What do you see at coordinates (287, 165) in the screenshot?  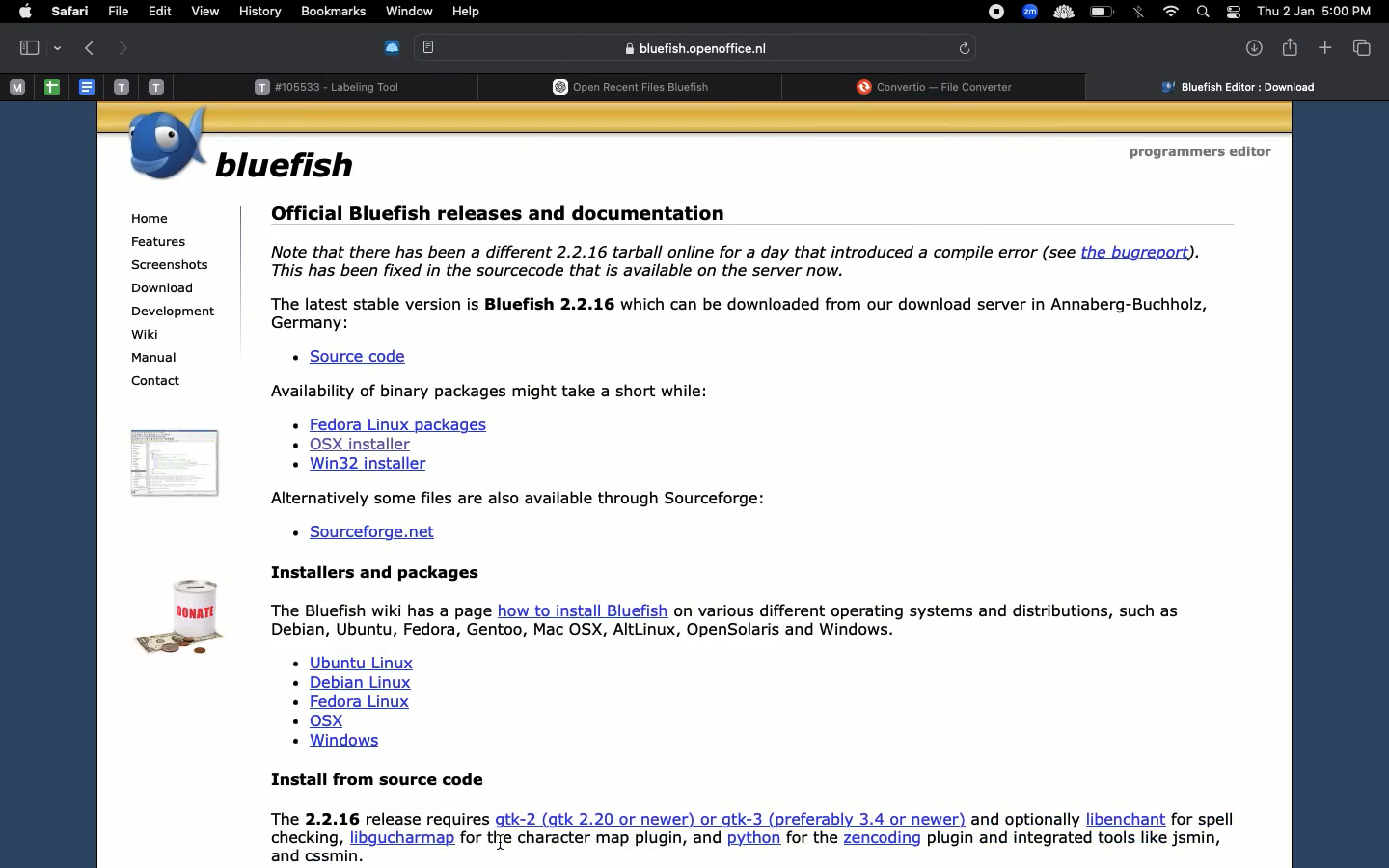 I see `bluefish` at bounding box center [287, 165].